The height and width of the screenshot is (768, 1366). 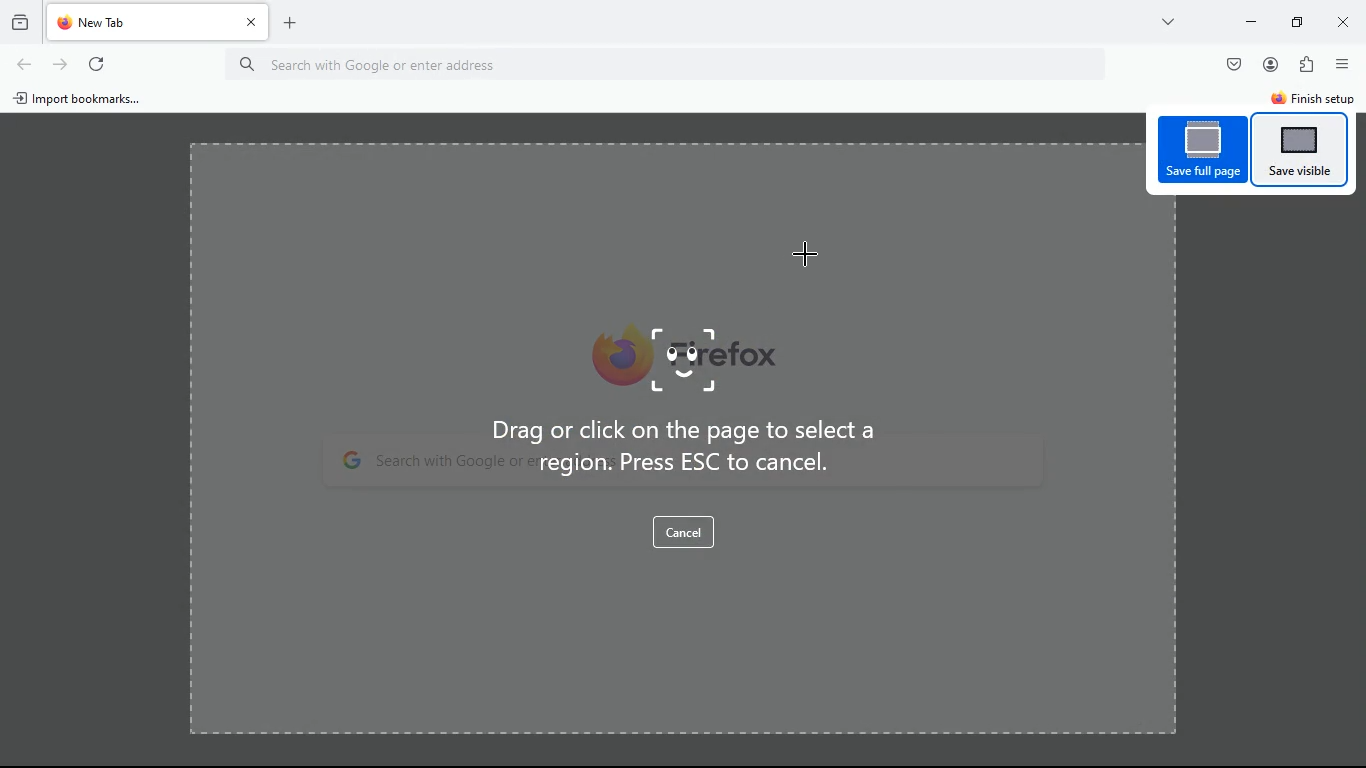 What do you see at coordinates (289, 25) in the screenshot?
I see `add tab` at bounding box center [289, 25].